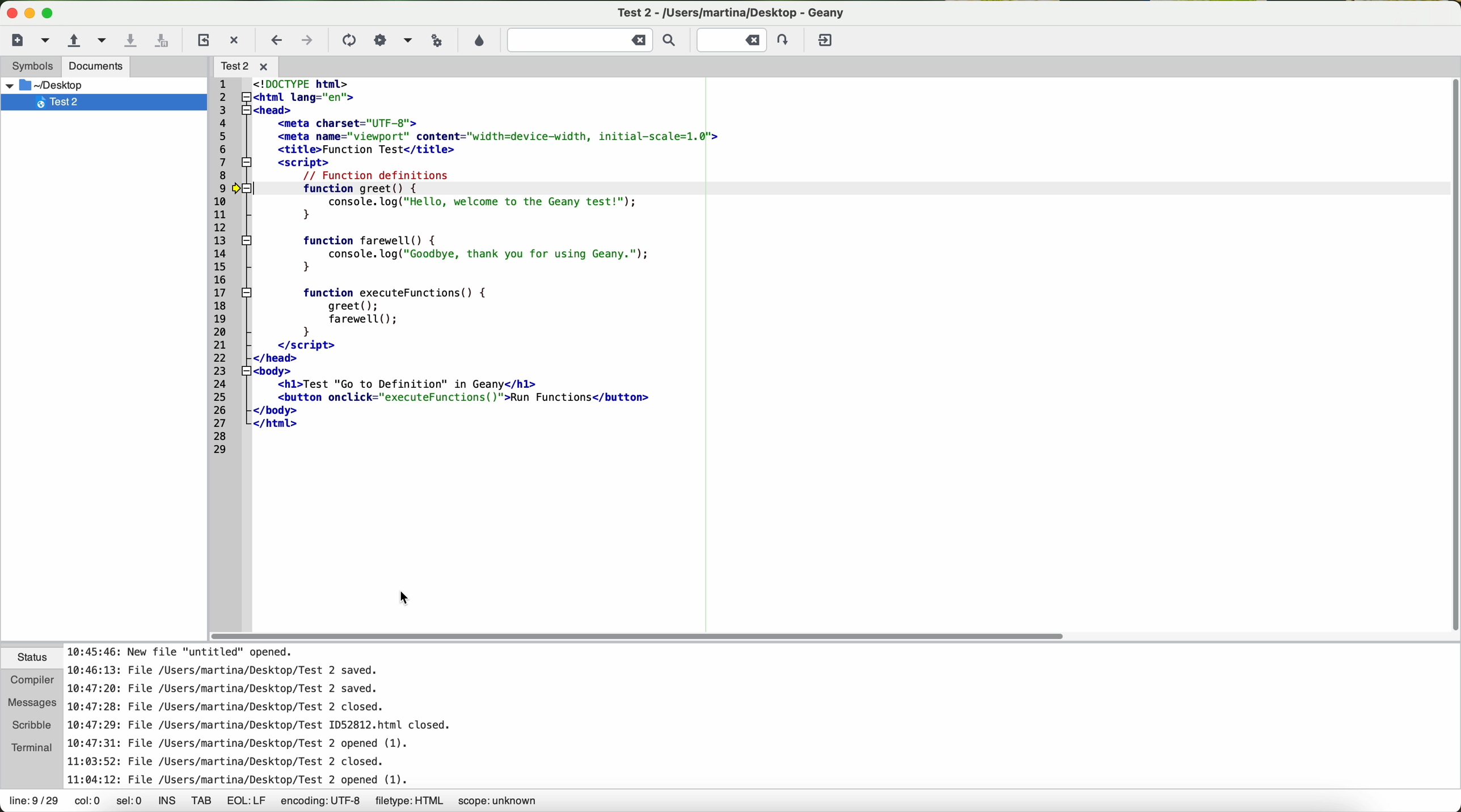  Describe the element at coordinates (48, 42) in the screenshot. I see `create a new file from a template` at that location.